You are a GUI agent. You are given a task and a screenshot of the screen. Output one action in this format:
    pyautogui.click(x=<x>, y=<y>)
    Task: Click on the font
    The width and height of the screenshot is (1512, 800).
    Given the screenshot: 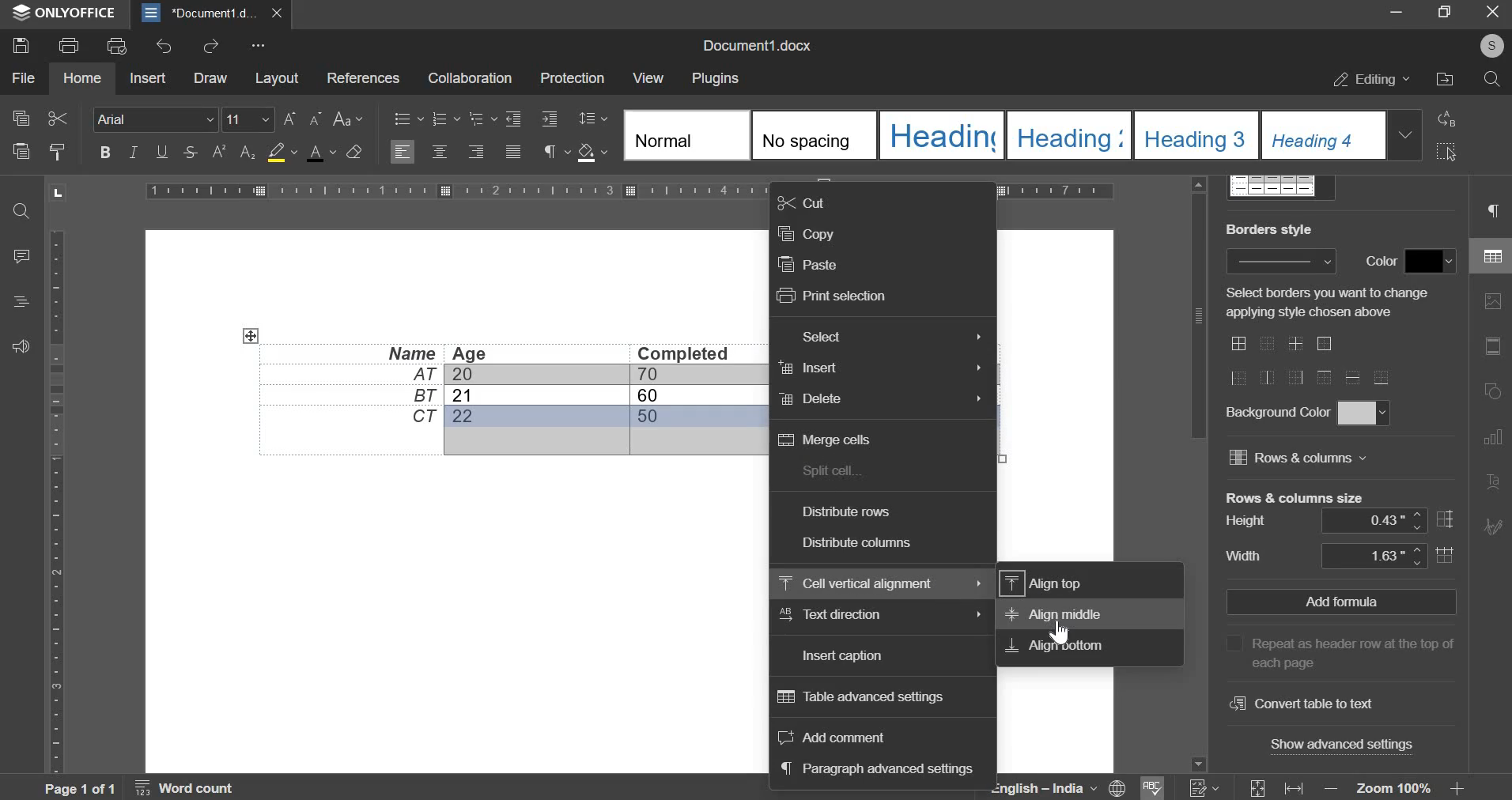 What is the action you would take?
    pyautogui.click(x=155, y=119)
    